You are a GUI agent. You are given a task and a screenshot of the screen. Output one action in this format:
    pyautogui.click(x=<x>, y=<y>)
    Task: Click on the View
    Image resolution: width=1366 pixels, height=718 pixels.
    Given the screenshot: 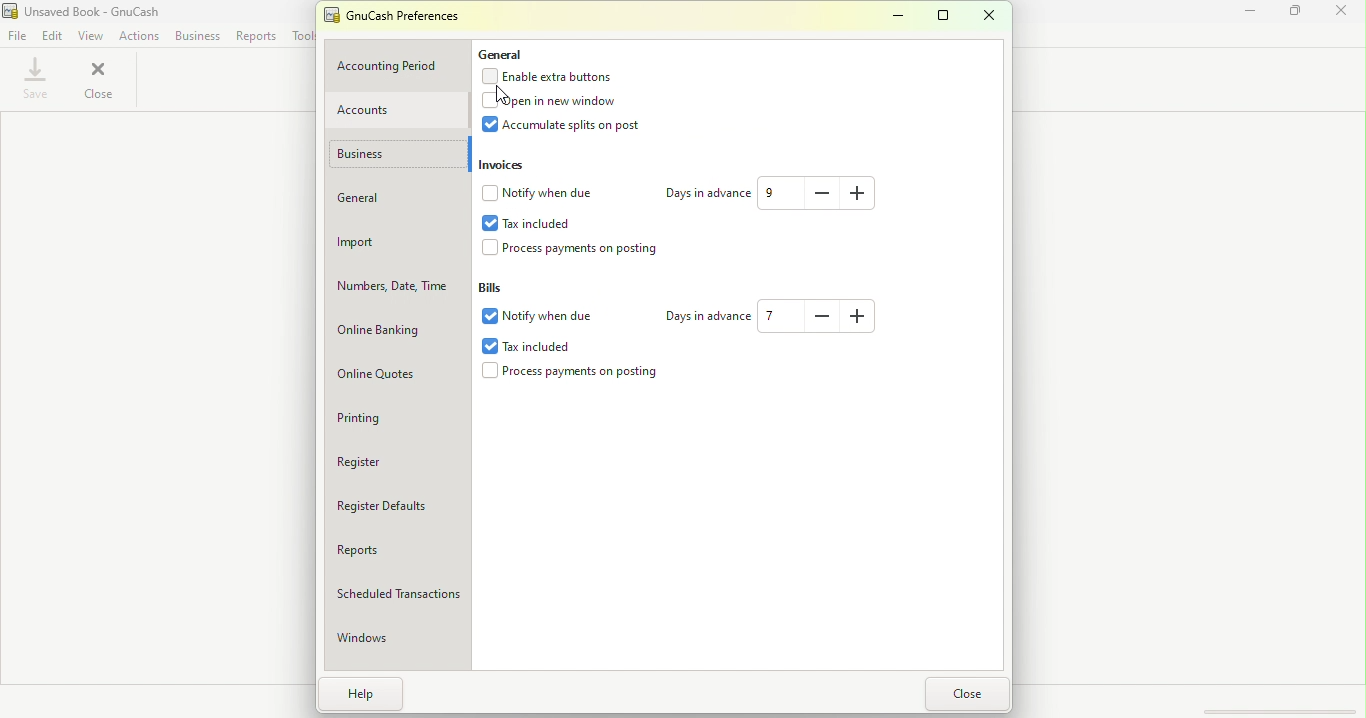 What is the action you would take?
    pyautogui.click(x=92, y=36)
    